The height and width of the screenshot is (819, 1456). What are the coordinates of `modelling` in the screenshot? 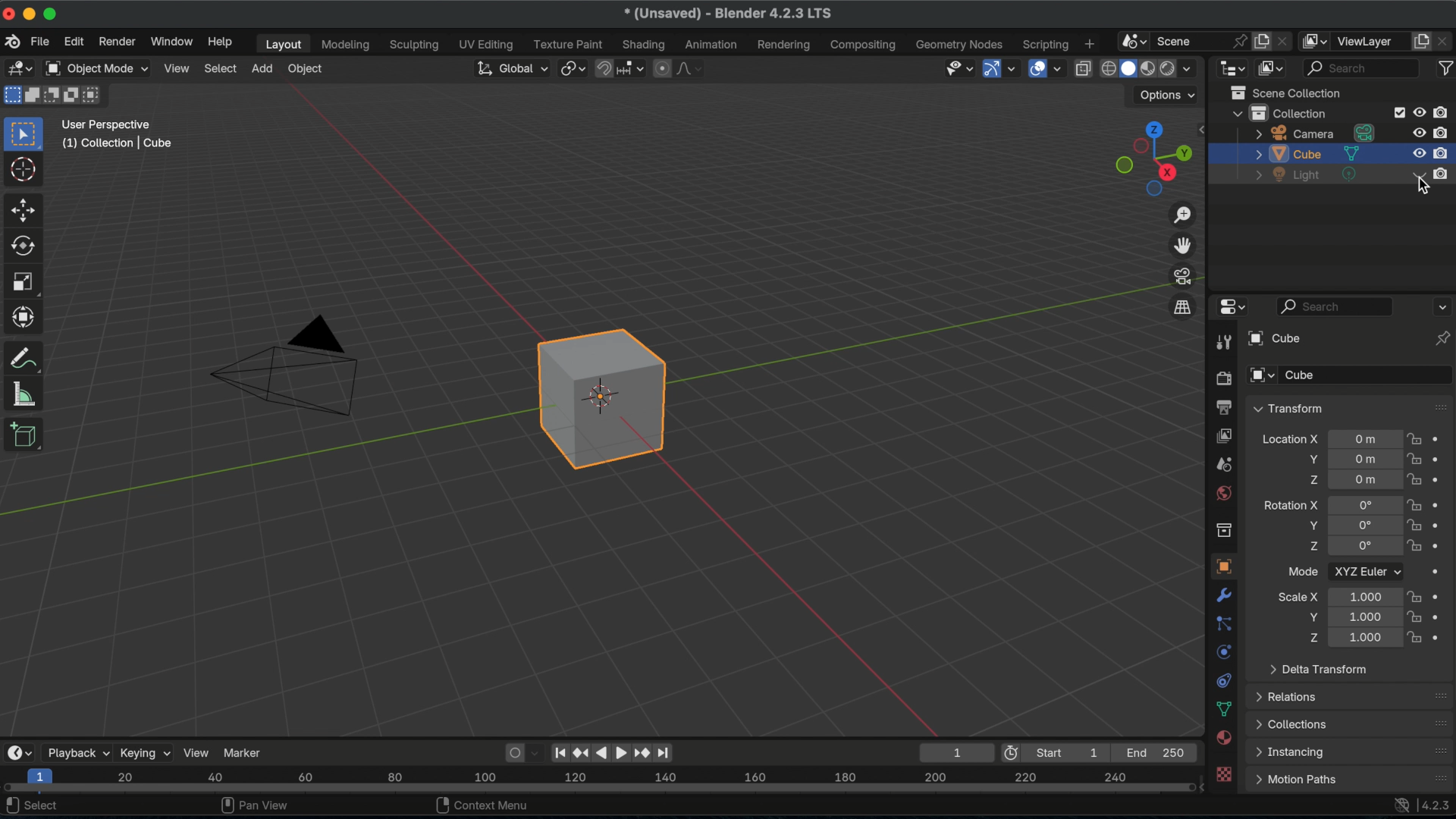 It's located at (344, 45).